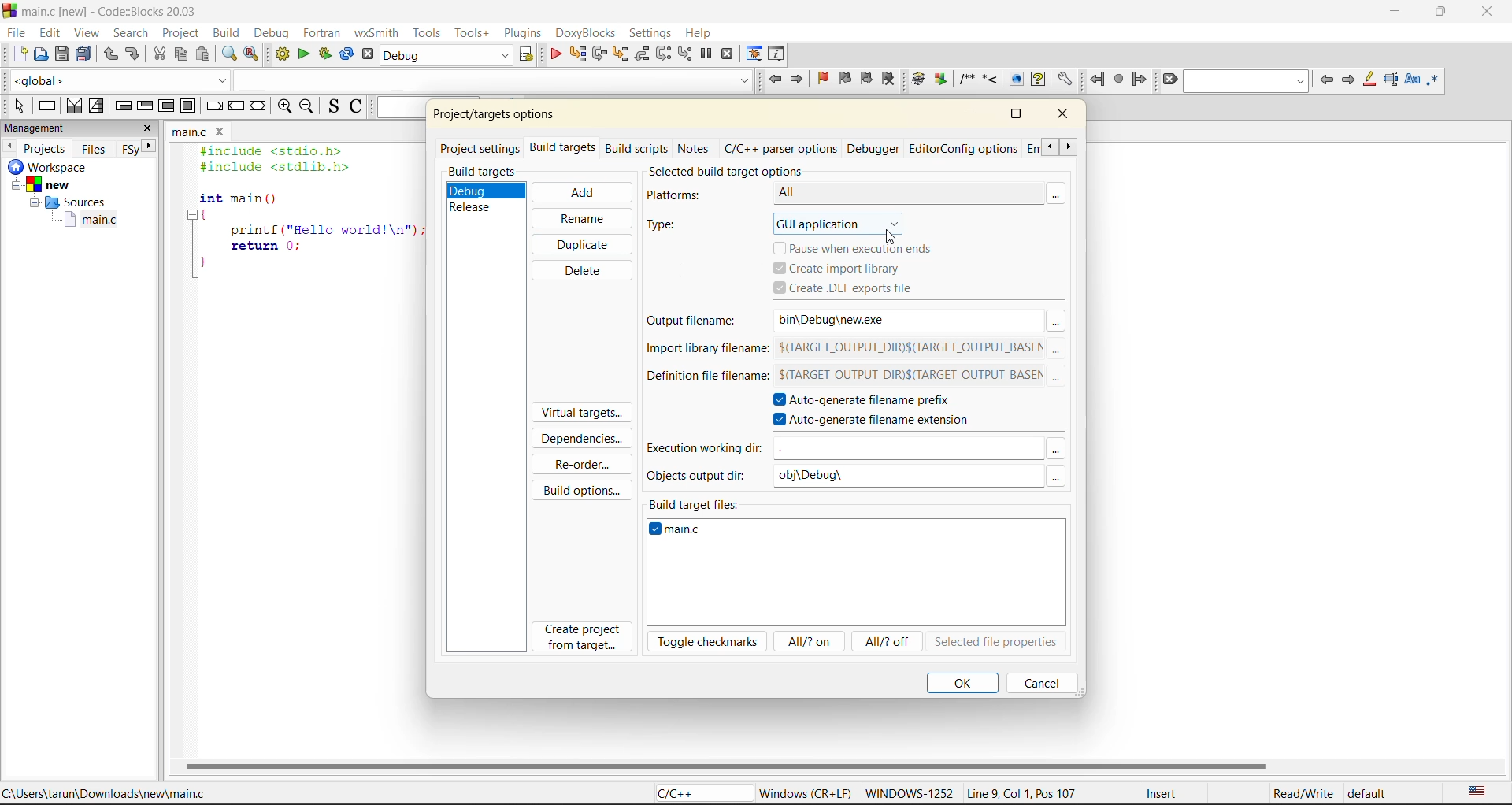 The image size is (1512, 805). What do you see at coordinates (51, 185) in the screenshot?
I see `New` at bounding box center [51, 185].